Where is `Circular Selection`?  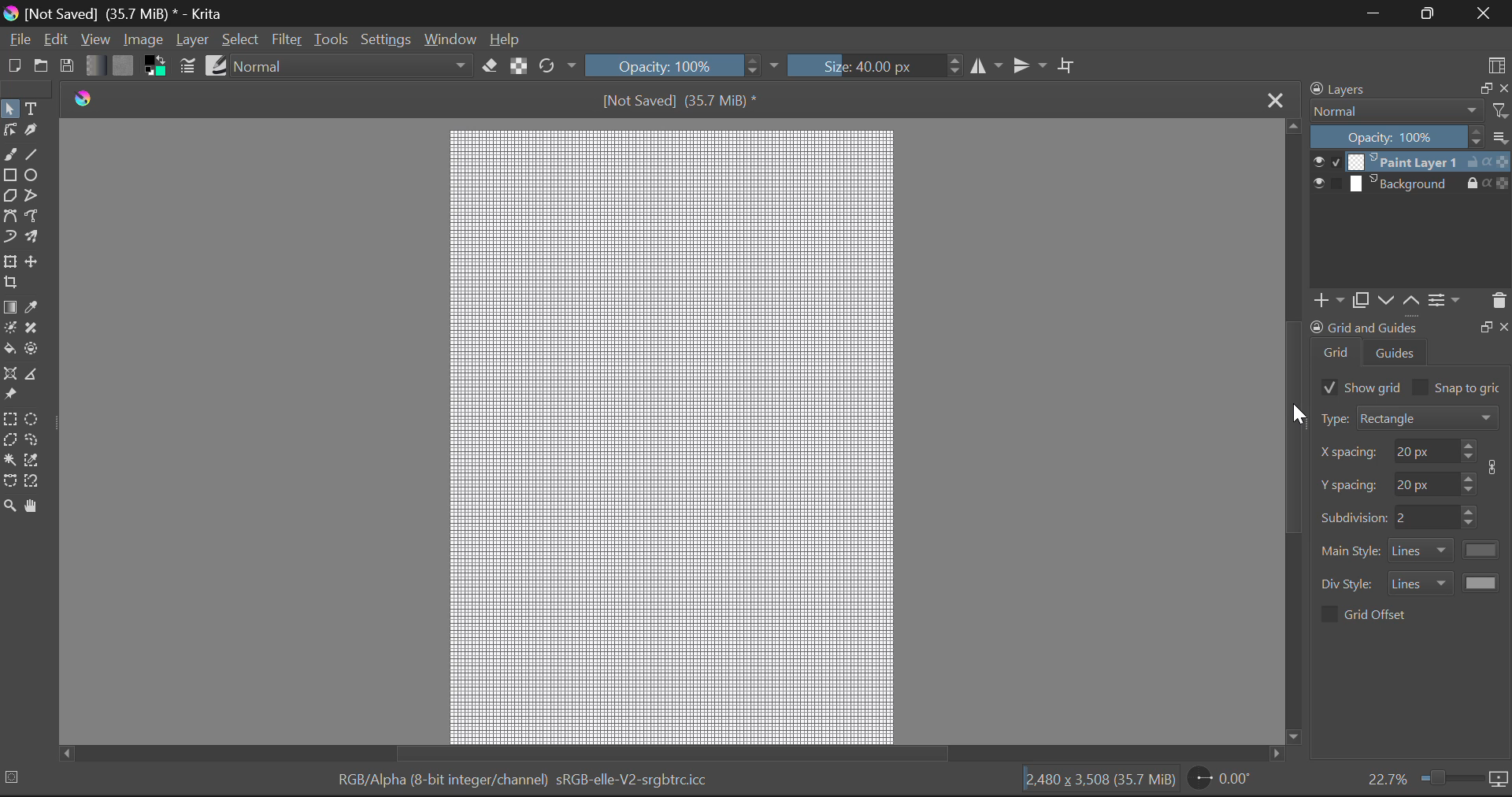
Circular Selection is located at coordinates (34, 420).